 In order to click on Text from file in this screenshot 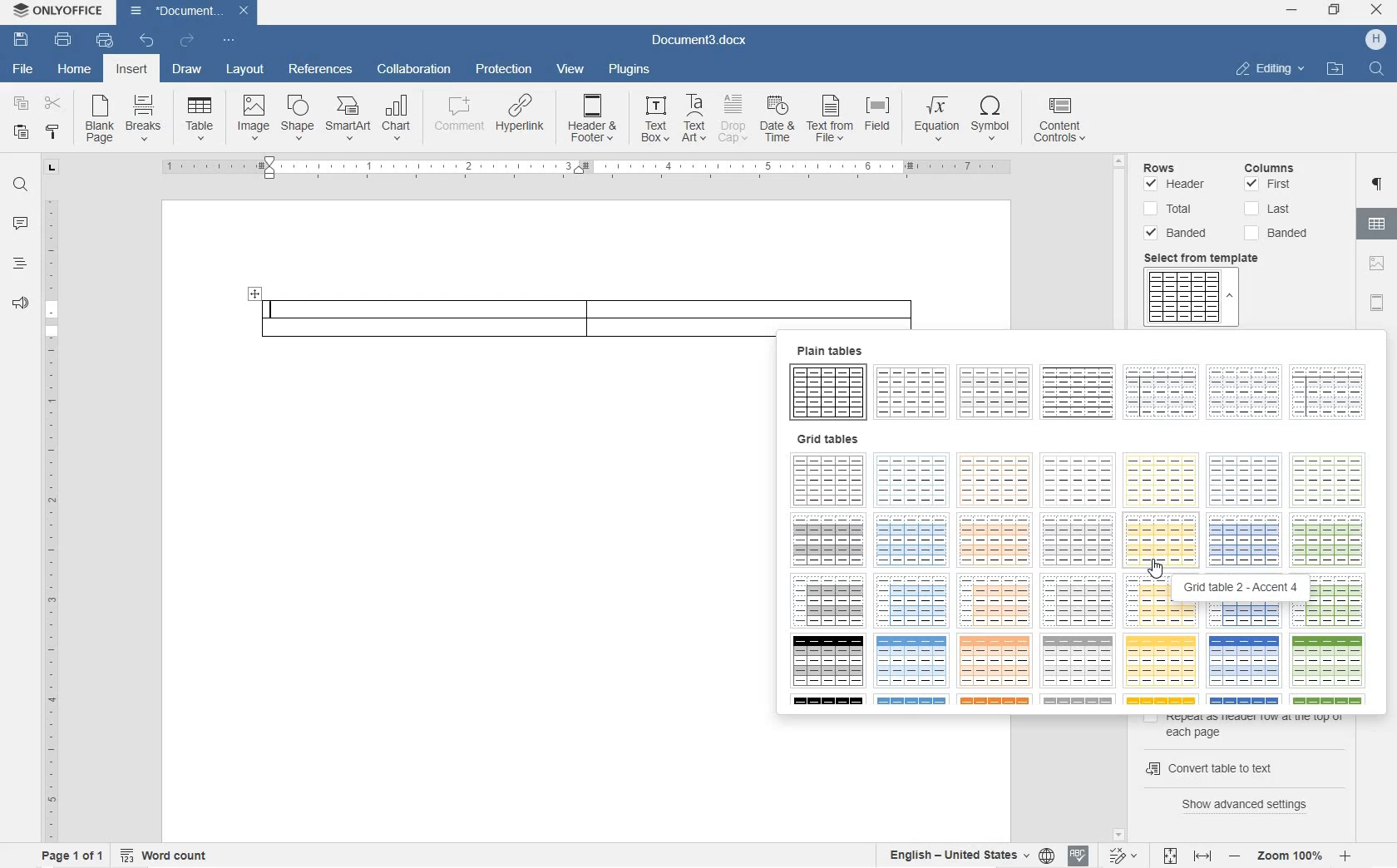, I will do `click(831, 121)`.